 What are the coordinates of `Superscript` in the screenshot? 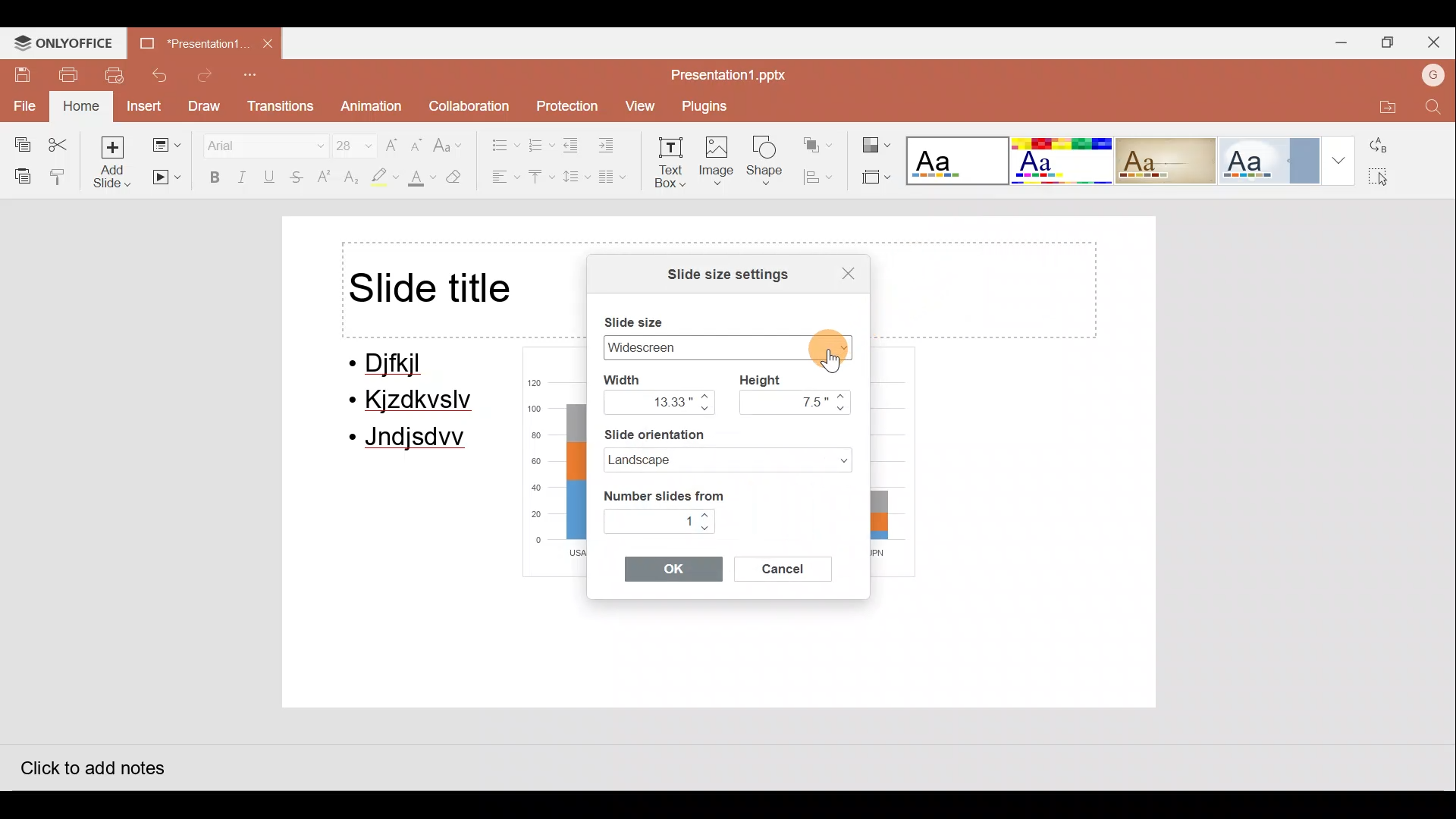 It's located at (325, 178).